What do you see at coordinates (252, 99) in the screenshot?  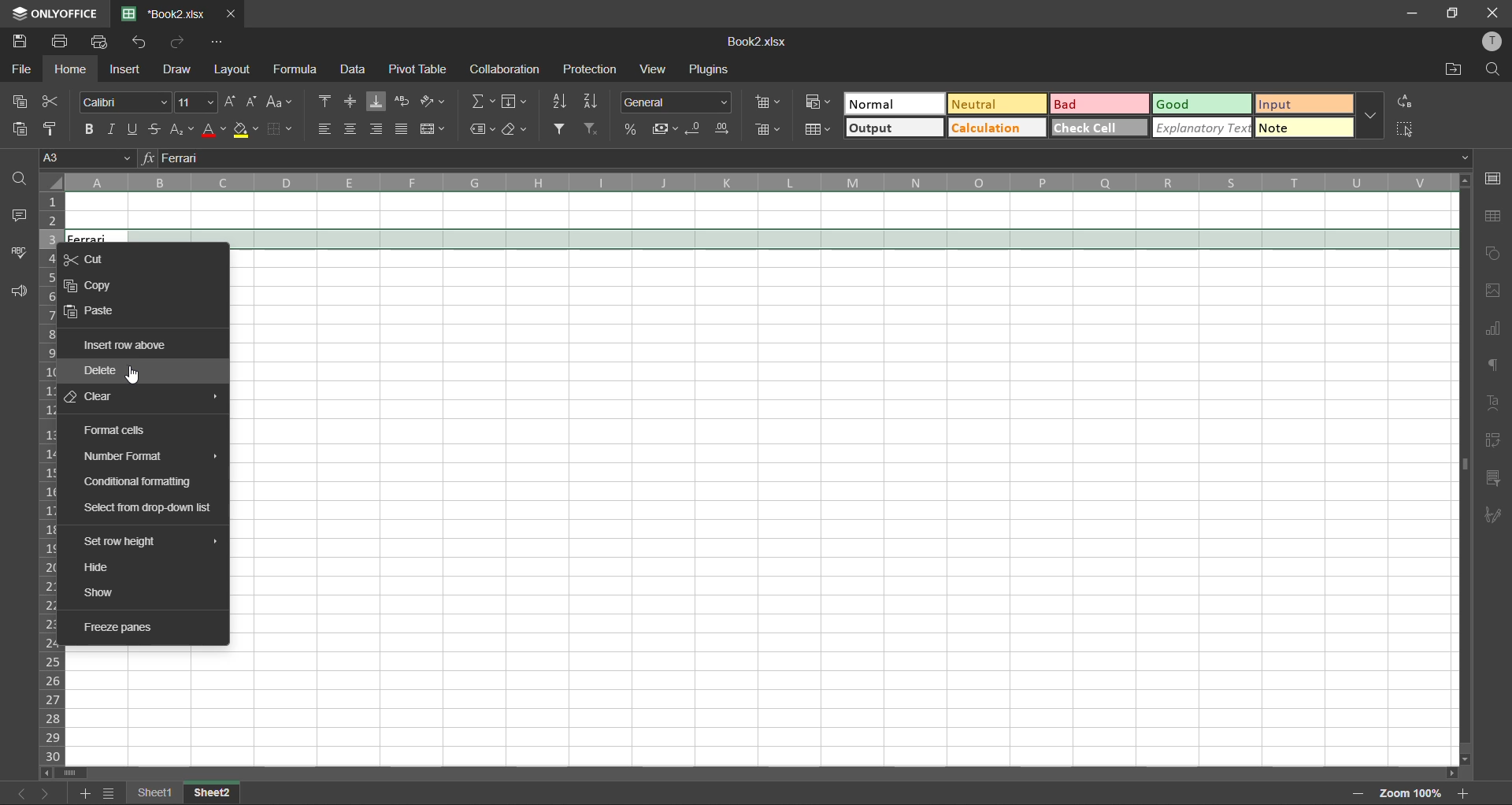 I see `decrement size` at bounding box center [252, 99].